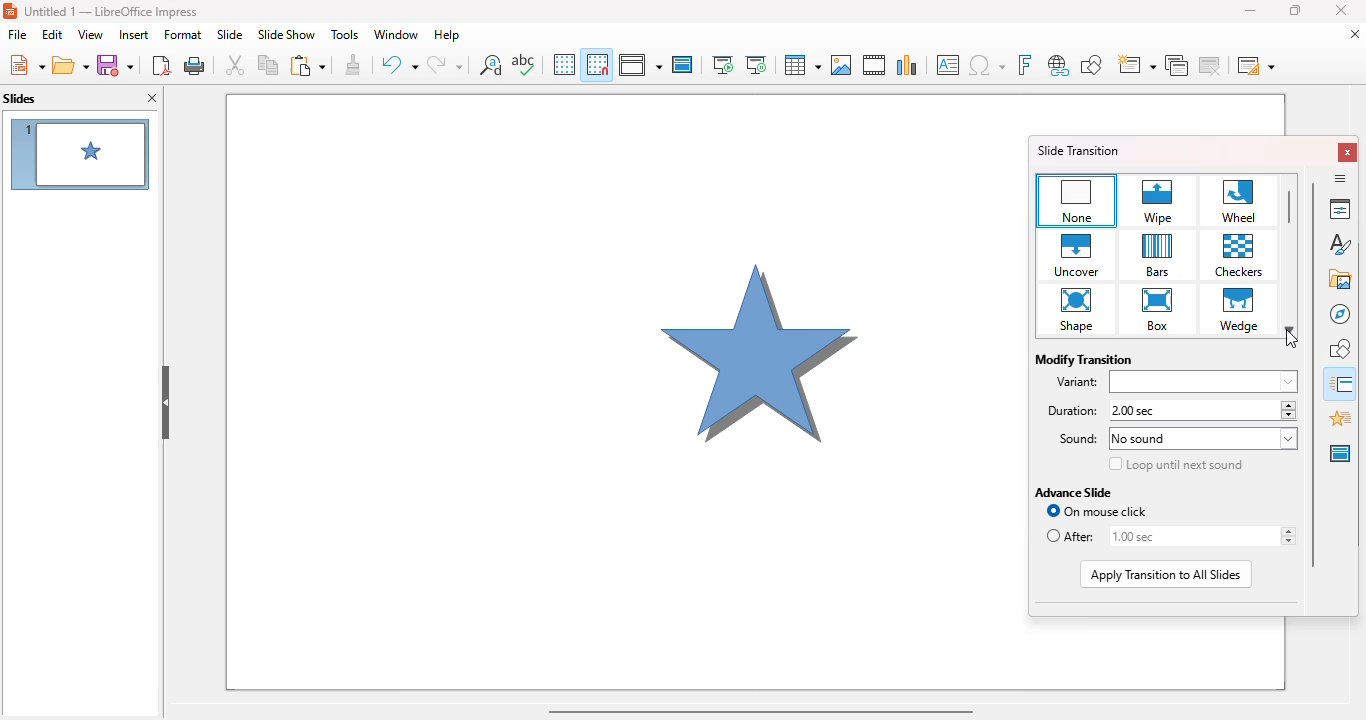 The width and height of the screenshot is (1366, 720). I want to click on hide, so click(165, 403).